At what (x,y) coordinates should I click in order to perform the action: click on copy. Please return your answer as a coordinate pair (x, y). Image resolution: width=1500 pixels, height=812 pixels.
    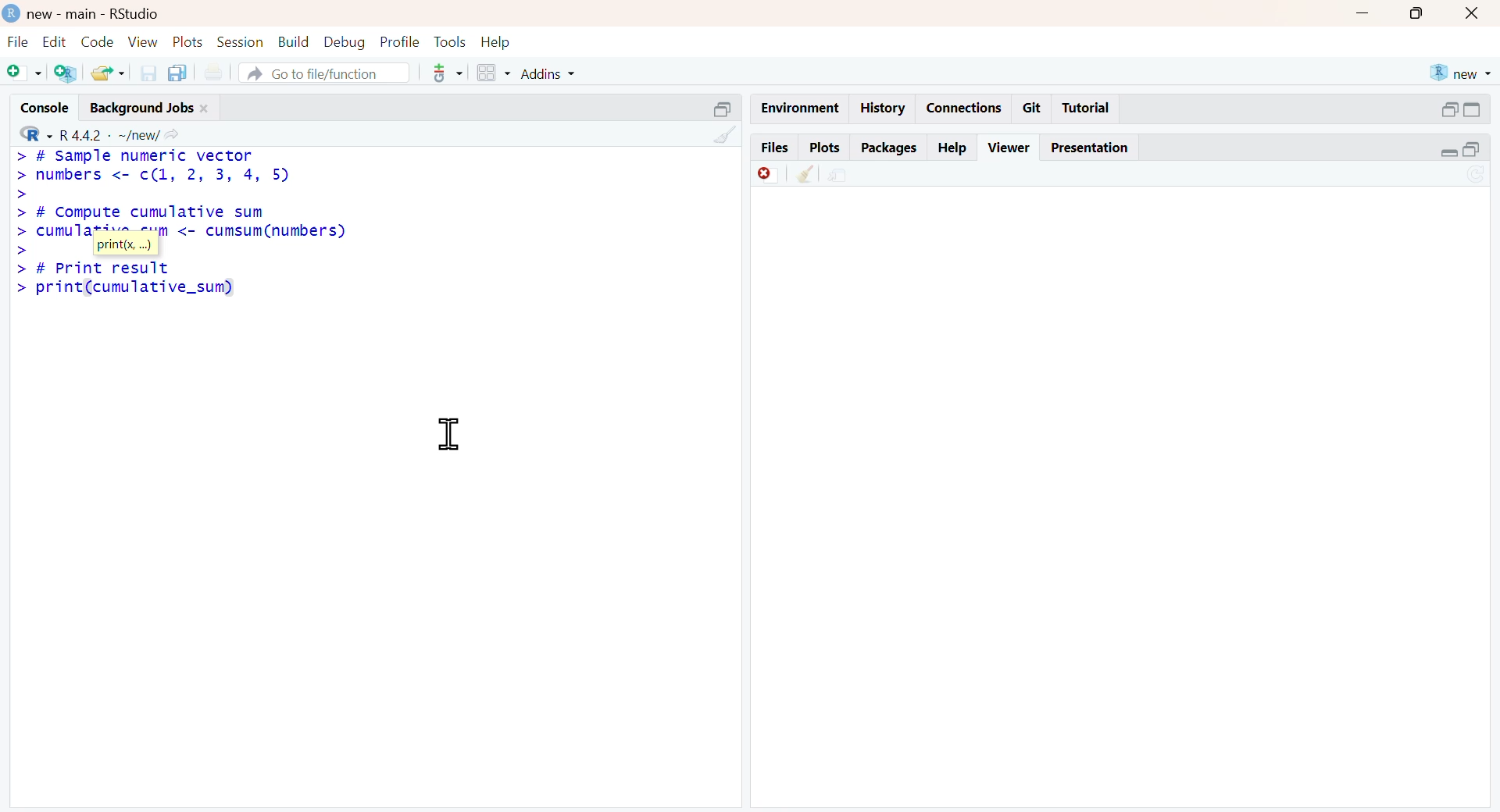
    Looking at the image, I should click on (177, 73).